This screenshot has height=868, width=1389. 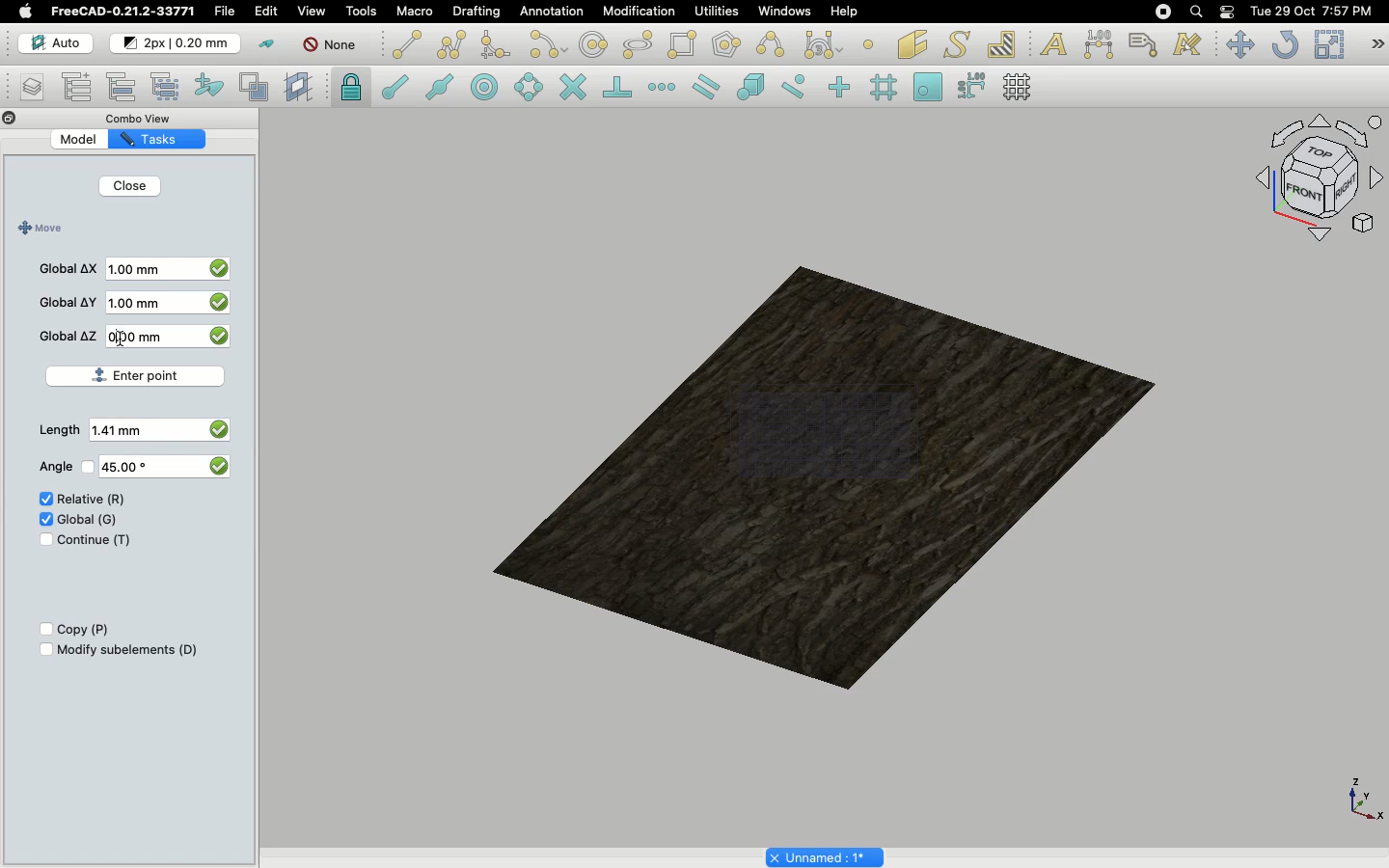 I want to click on Fillet, so click(x=494, y=47).